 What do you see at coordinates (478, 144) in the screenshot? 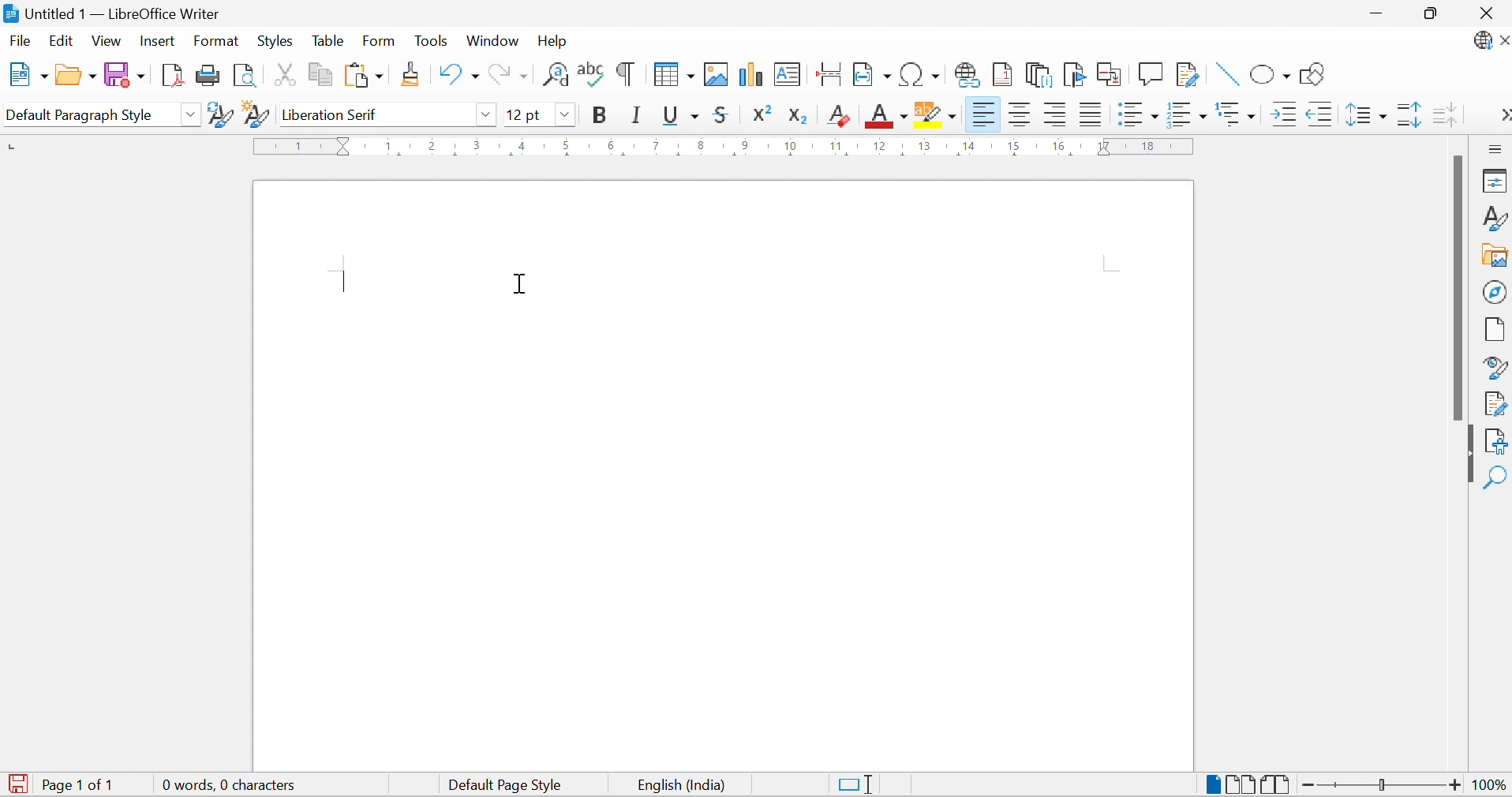
I see `3` at bounding box center [478, 144].